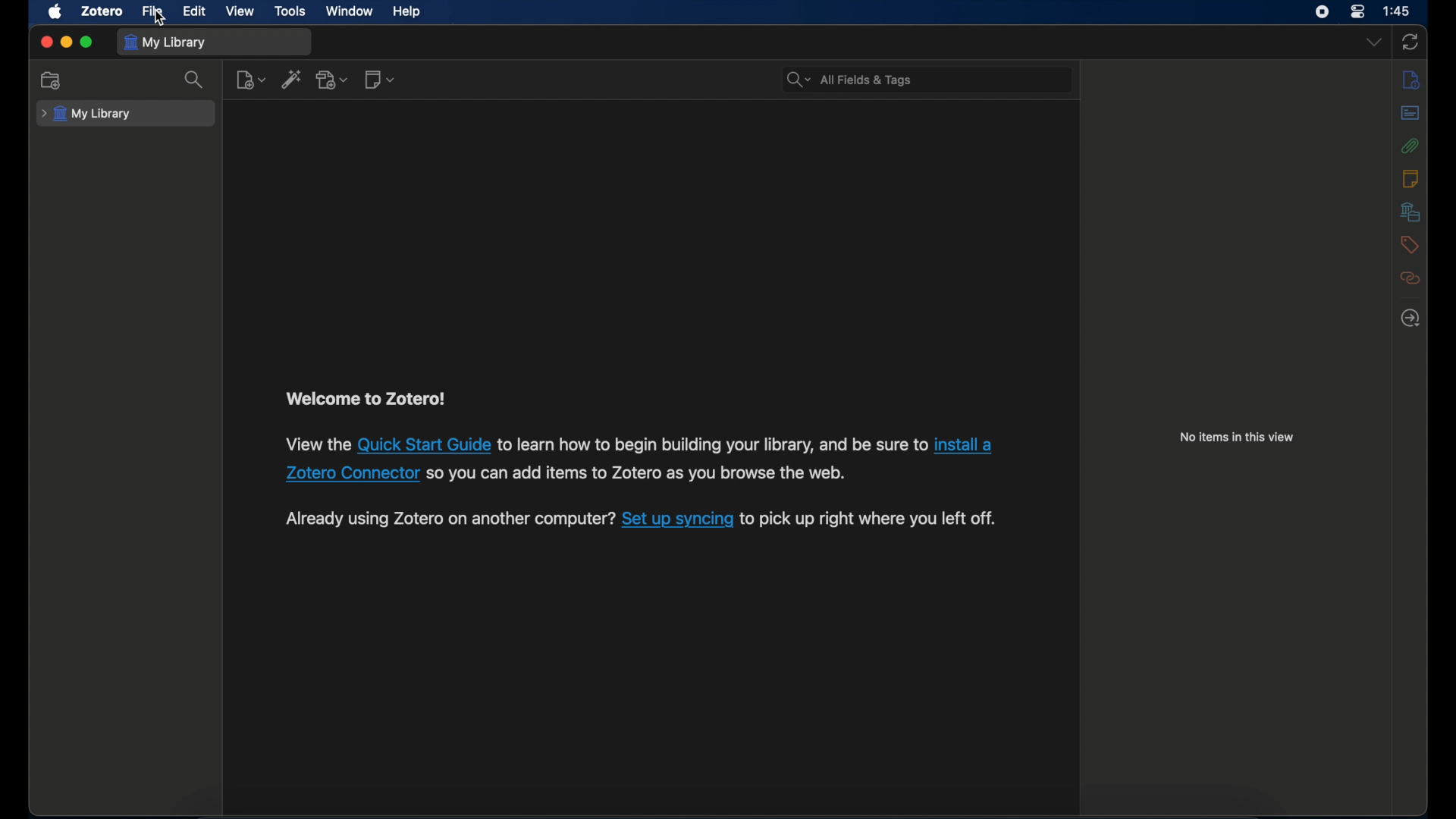 This screenshot has height=819, width=1456. I want to click on edit, so click(196, 12).